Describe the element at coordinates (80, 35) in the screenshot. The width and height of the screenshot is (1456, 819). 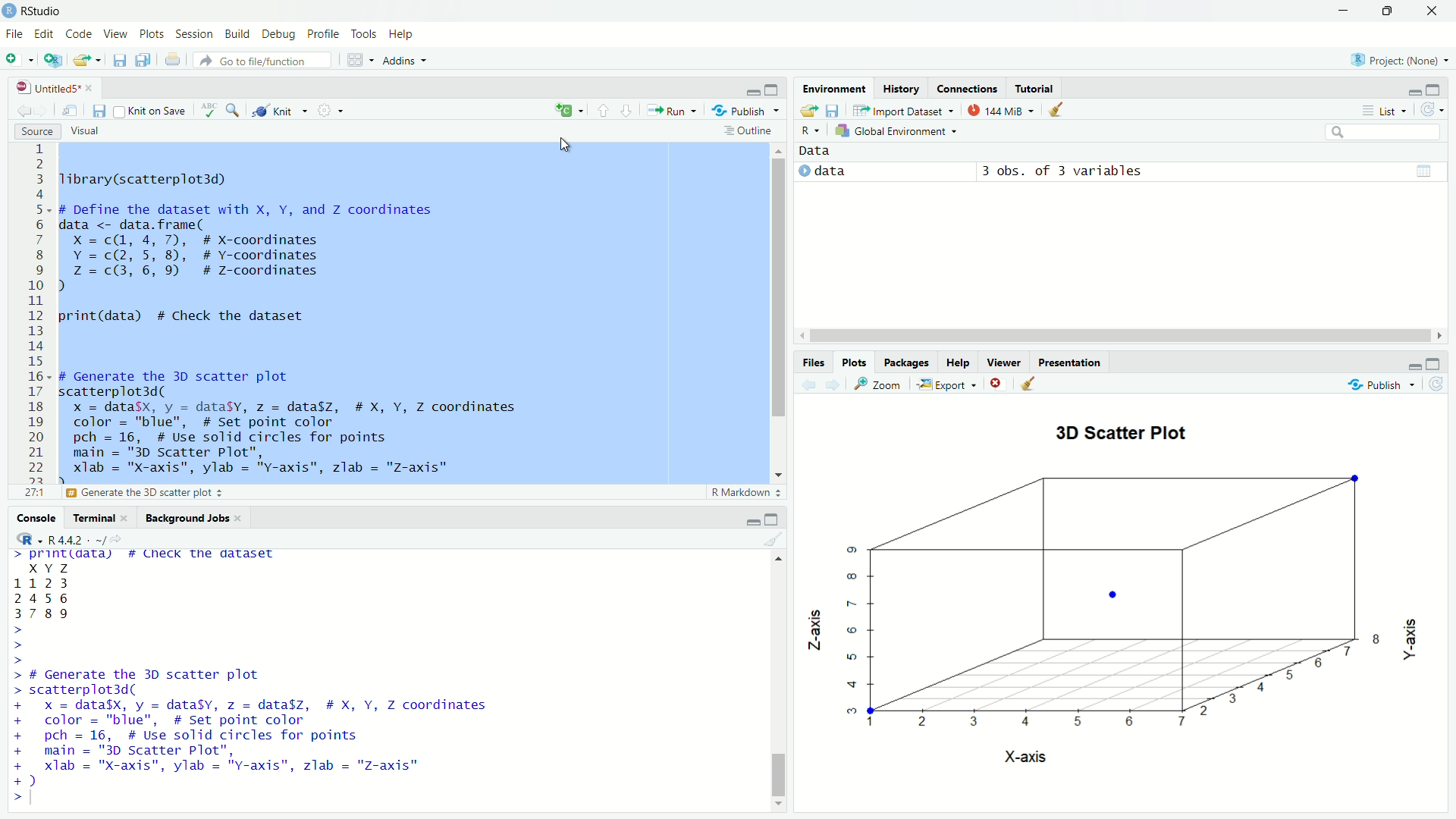
I see `code` at that location.